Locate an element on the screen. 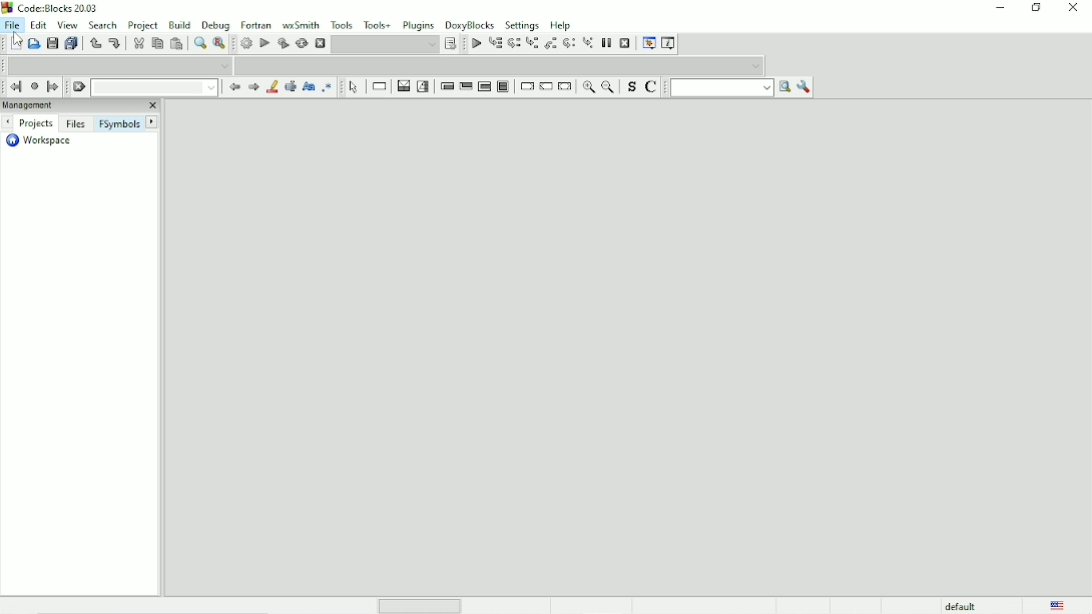  Entry condition loop is located at coordinates (446, 85).